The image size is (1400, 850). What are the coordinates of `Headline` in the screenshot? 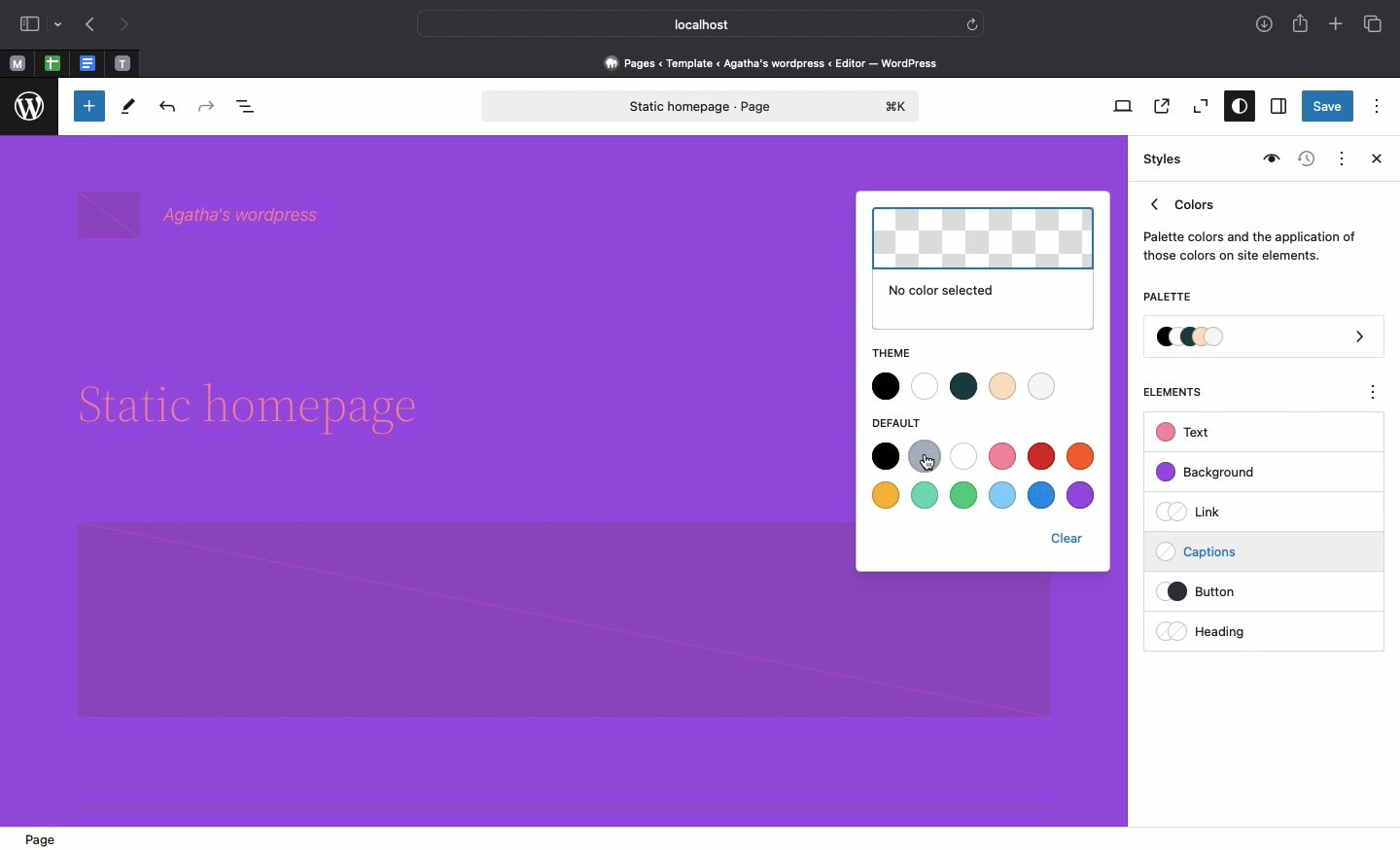 It's located at (264, 408).